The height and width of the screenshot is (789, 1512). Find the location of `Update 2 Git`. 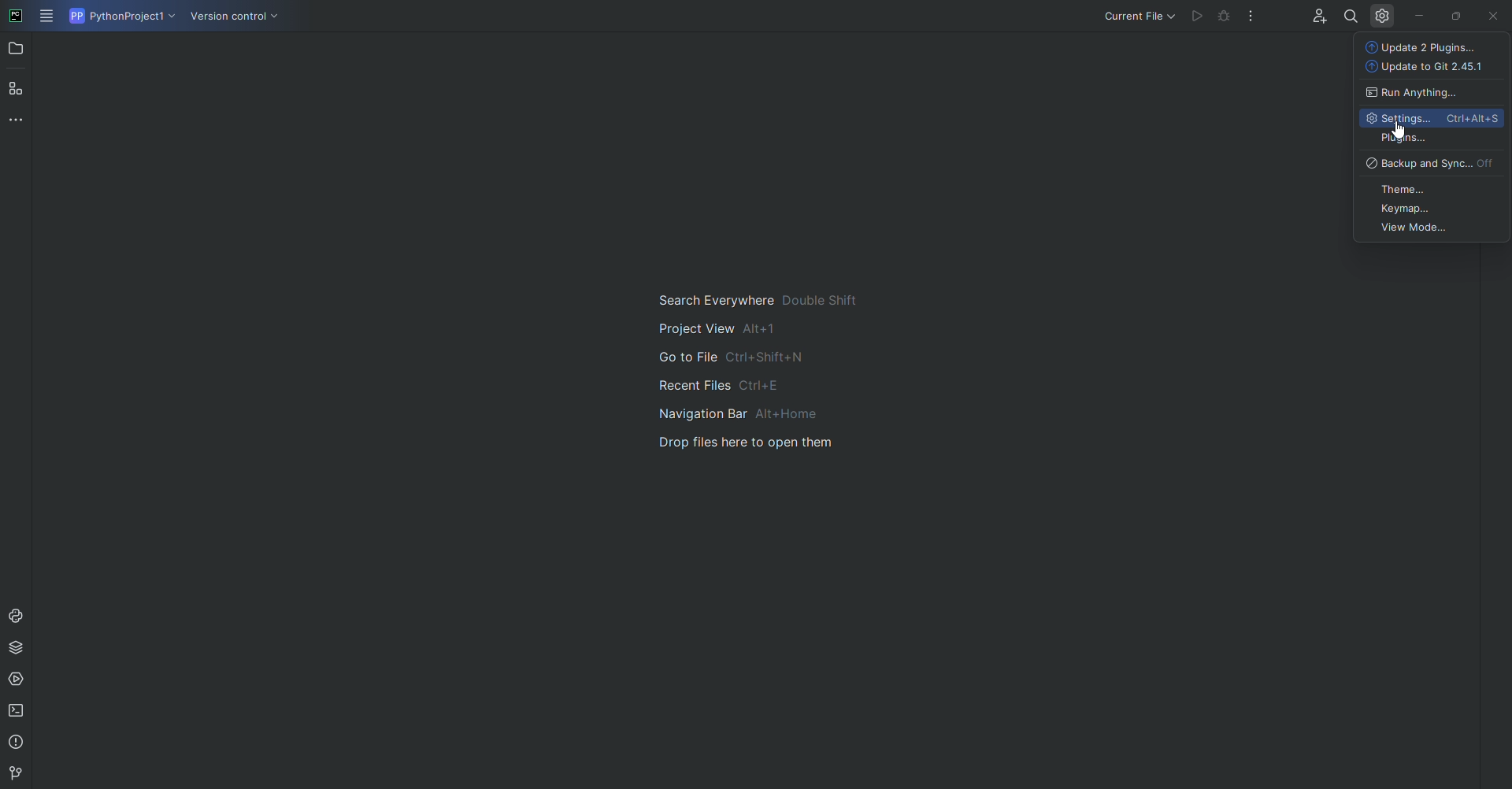

Update 2 Git is located at coordinates (1433, 68).